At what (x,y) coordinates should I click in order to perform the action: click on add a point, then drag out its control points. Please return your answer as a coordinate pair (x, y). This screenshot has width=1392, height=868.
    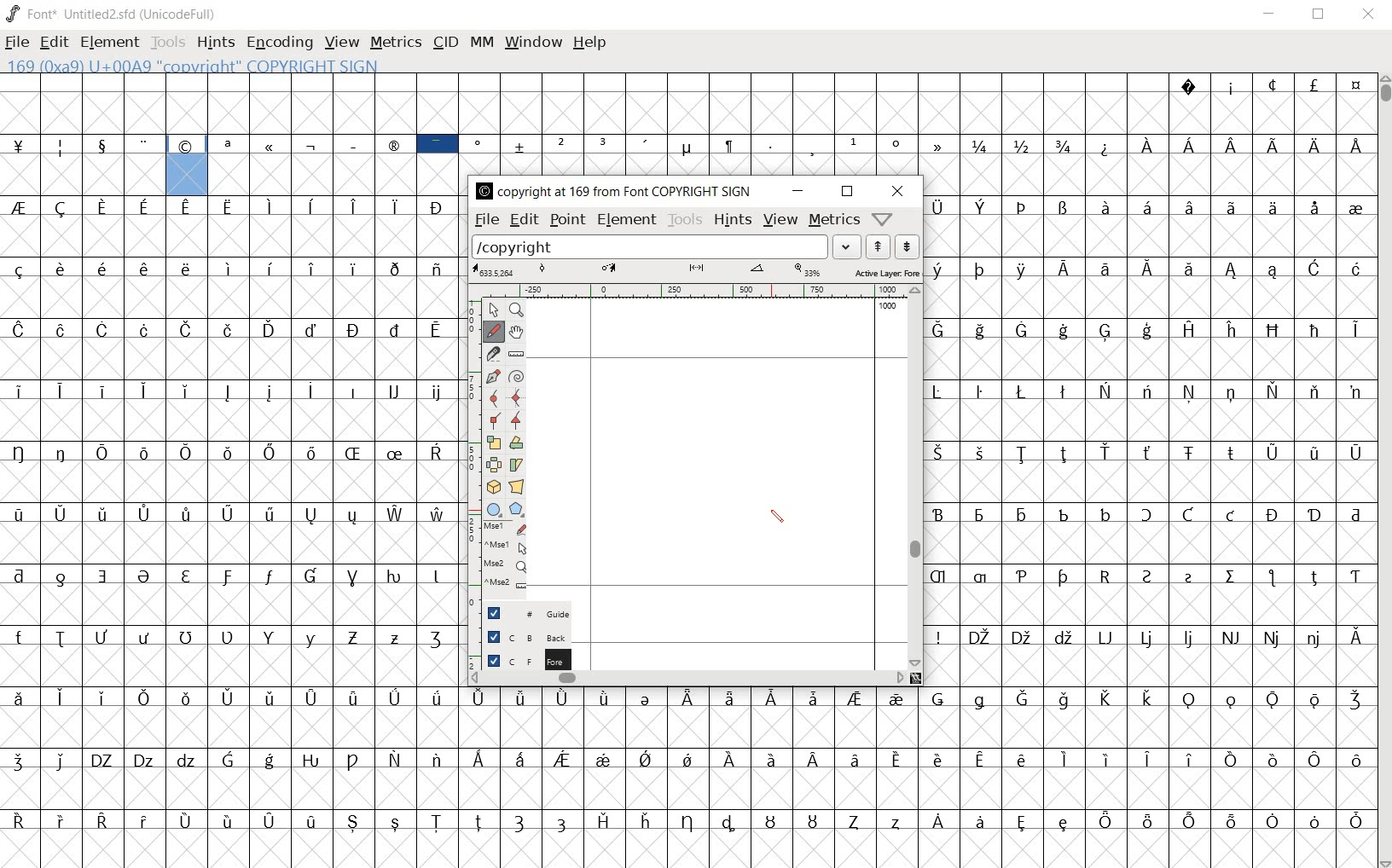
    Looking at the image, I should click on (493, 375).